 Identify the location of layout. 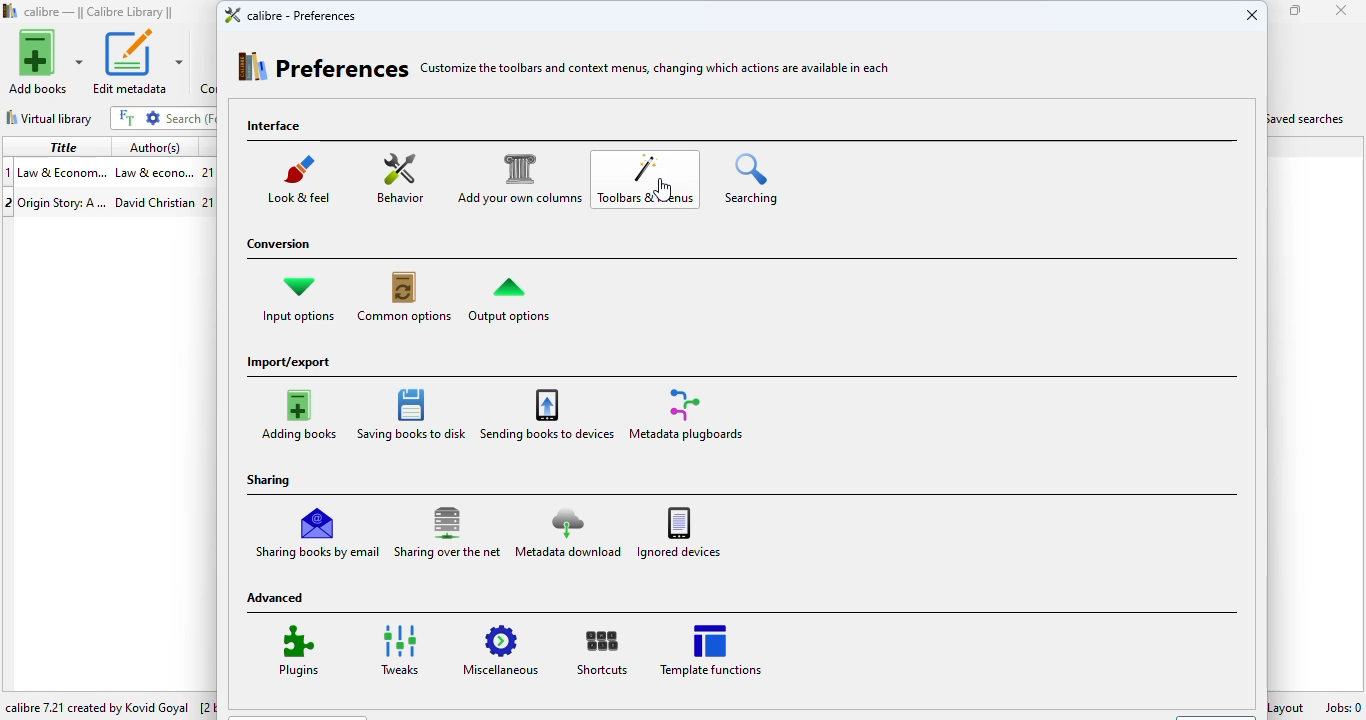
(1289, 706).